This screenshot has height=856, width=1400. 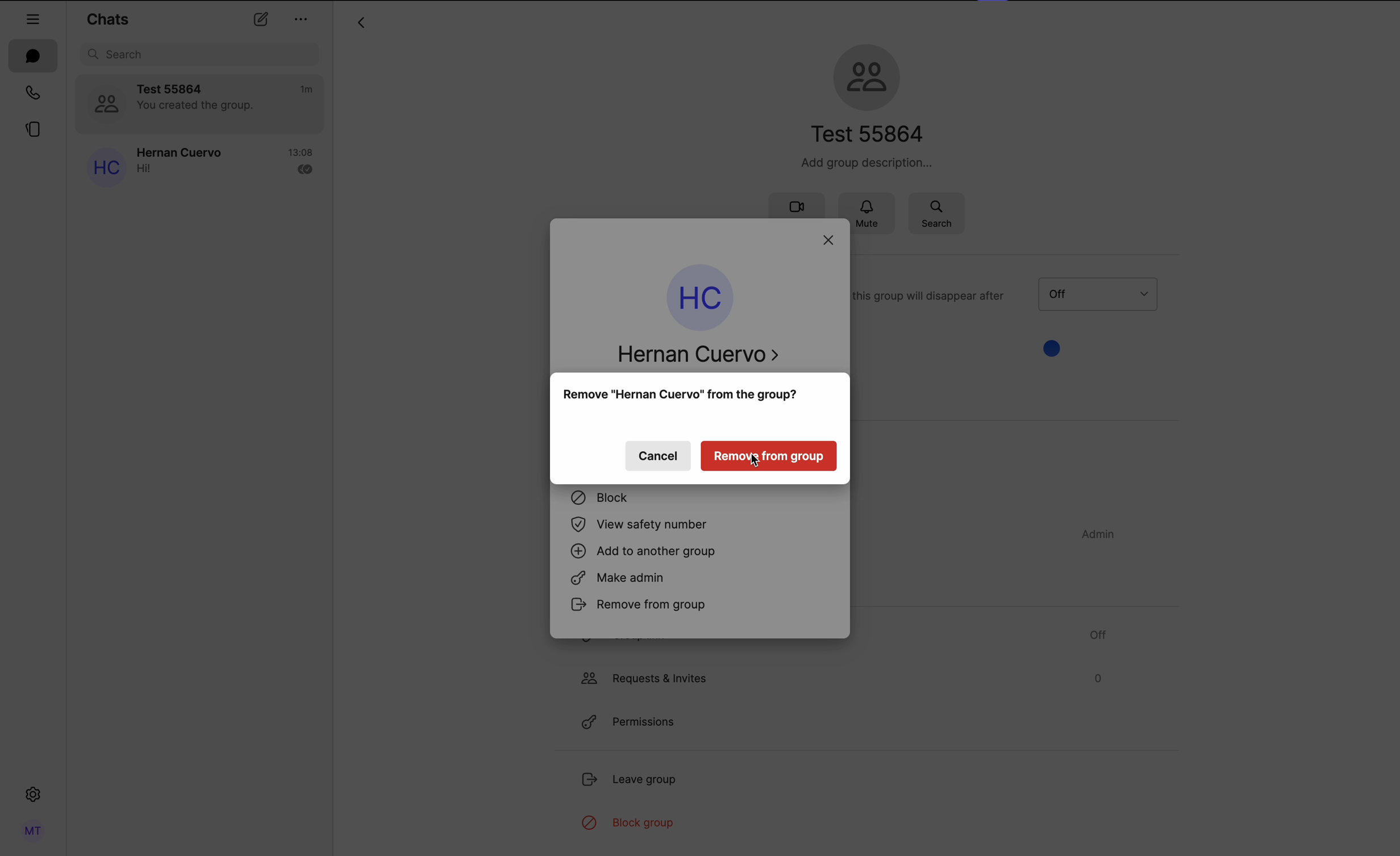 What do you see at coordinates (623, 580) in the screenshot?
I see `make admin` at bounding box center [623, 580].